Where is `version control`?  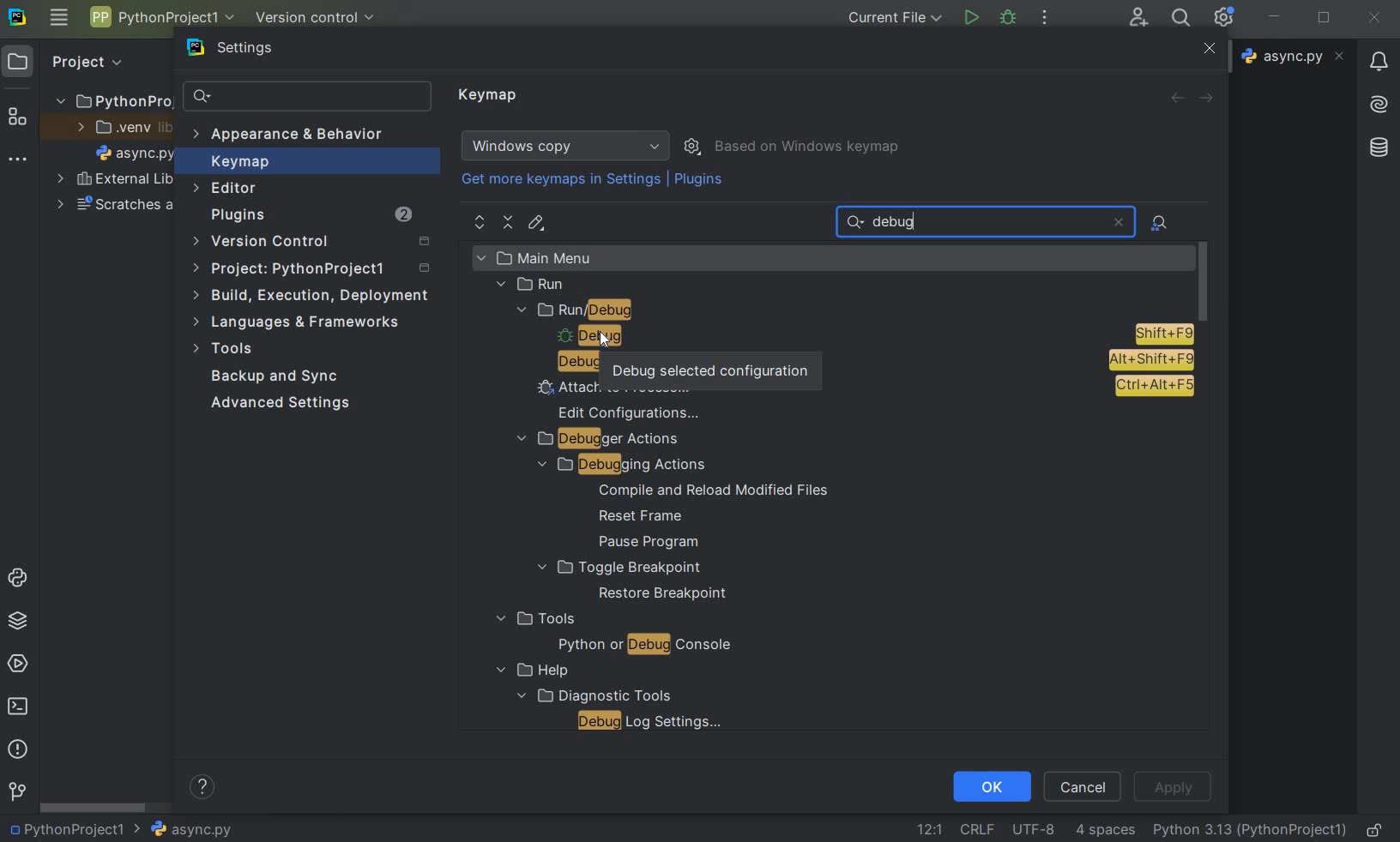
version control is located at coordinates (321, 19).